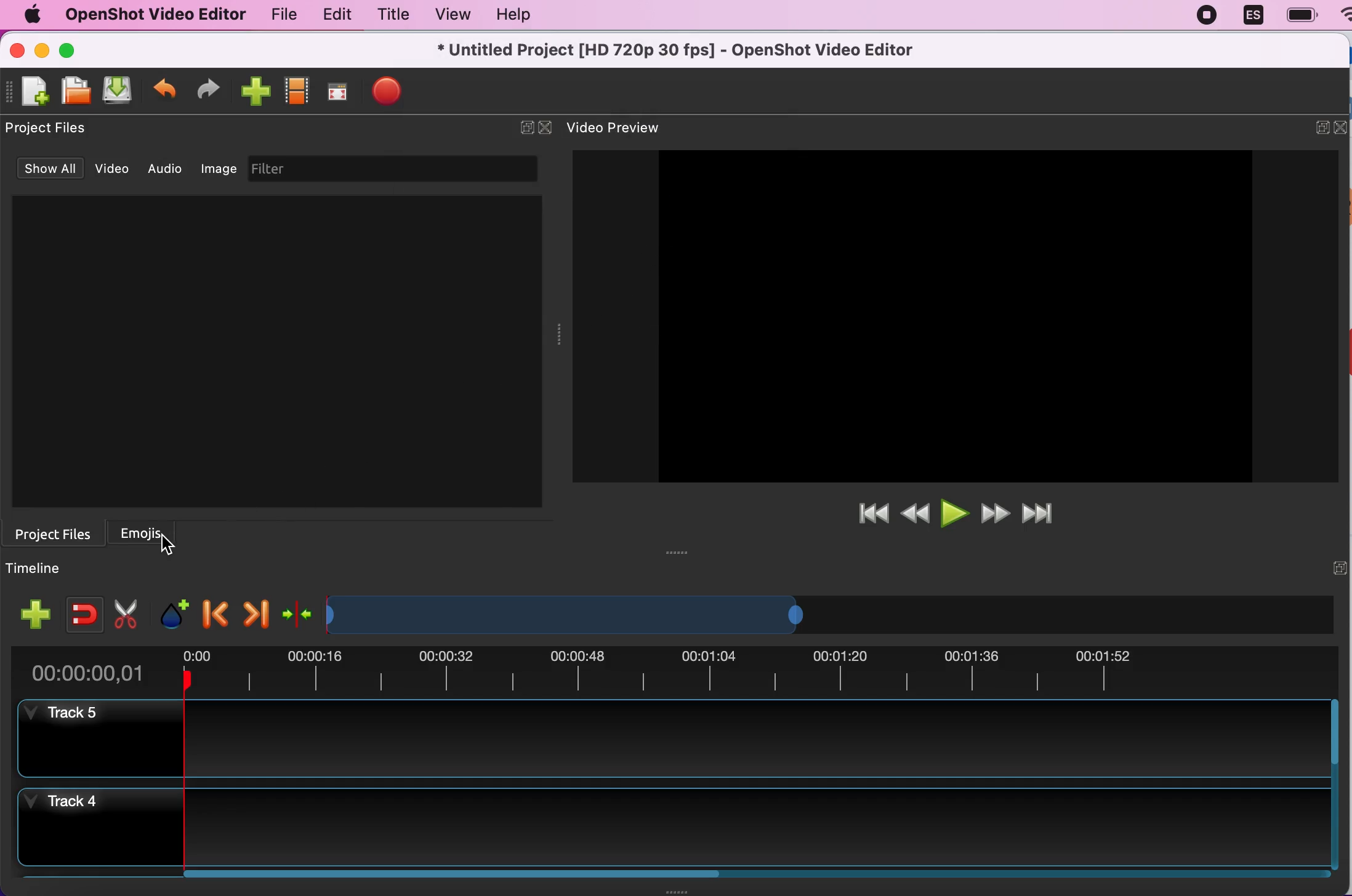  What do you see at coordinates (952, 316) in the screenshot?
I see `Image preview space` at bounding box center [952, 316].